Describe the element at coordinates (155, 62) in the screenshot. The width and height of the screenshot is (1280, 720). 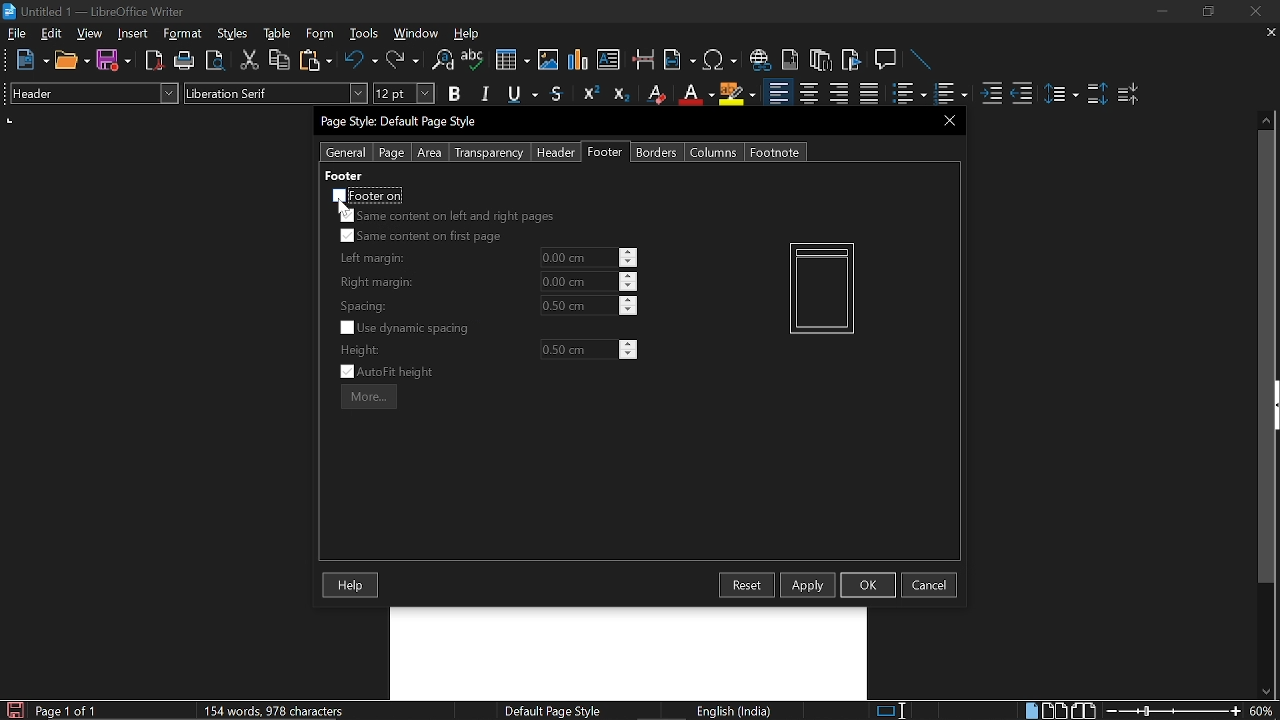
I see `export as PDF` at that location.